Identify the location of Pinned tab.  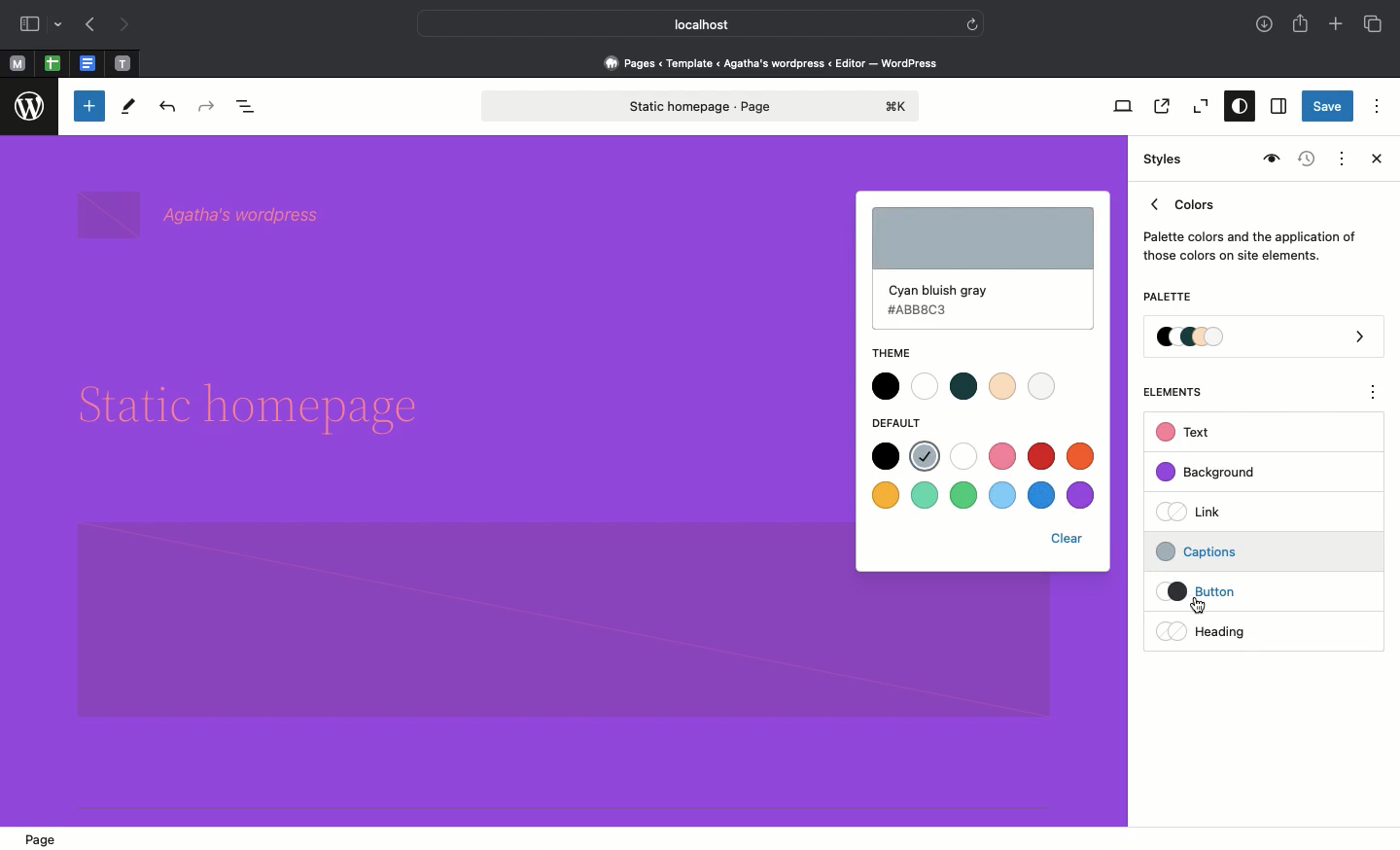
(123, 64).